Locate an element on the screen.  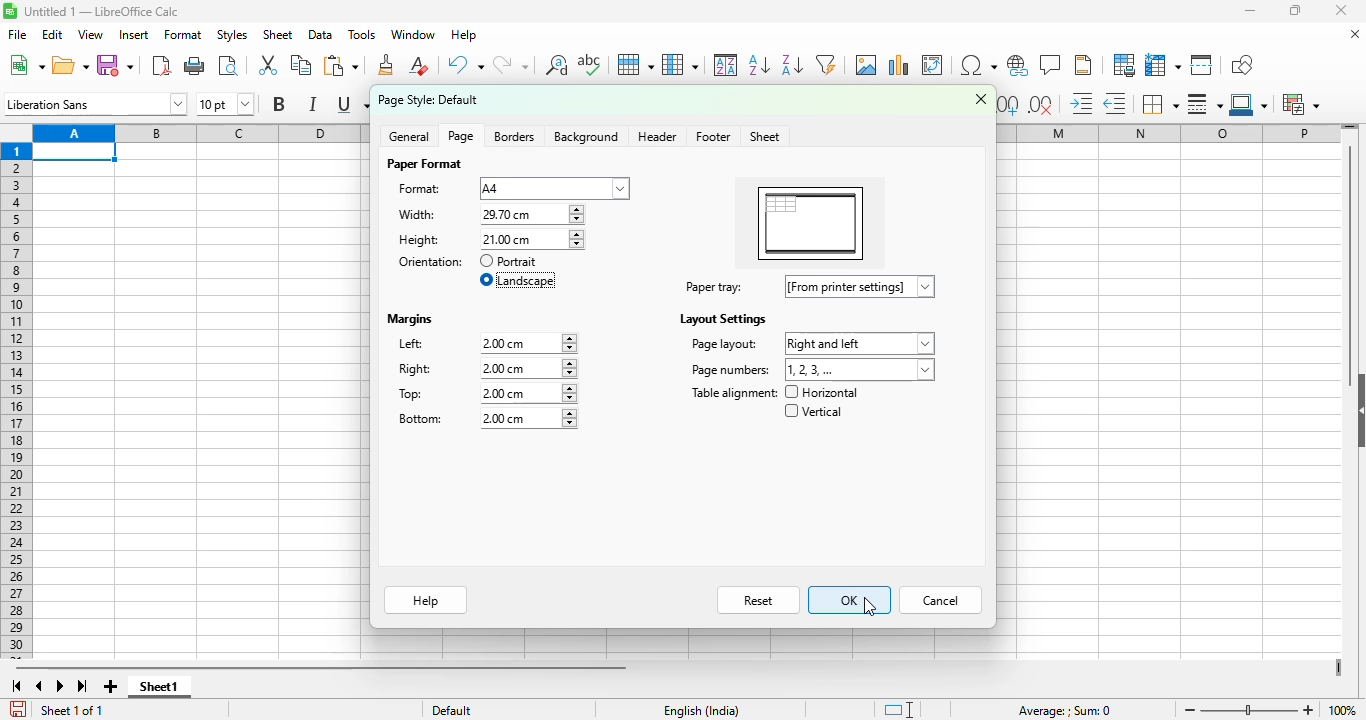
header is located at coordinates (657, 136).